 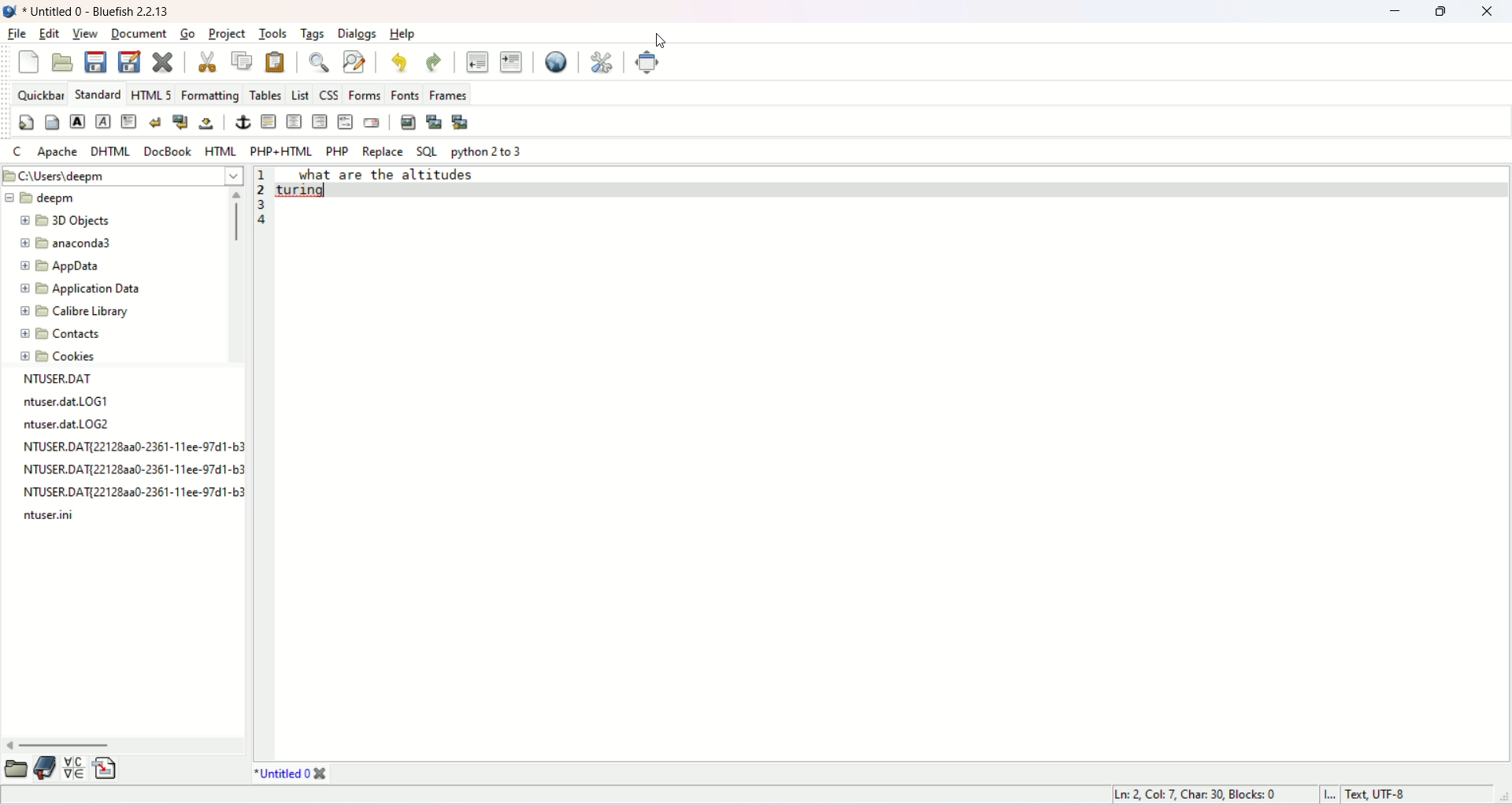 I want to click on text, so click(x=130, y=448).